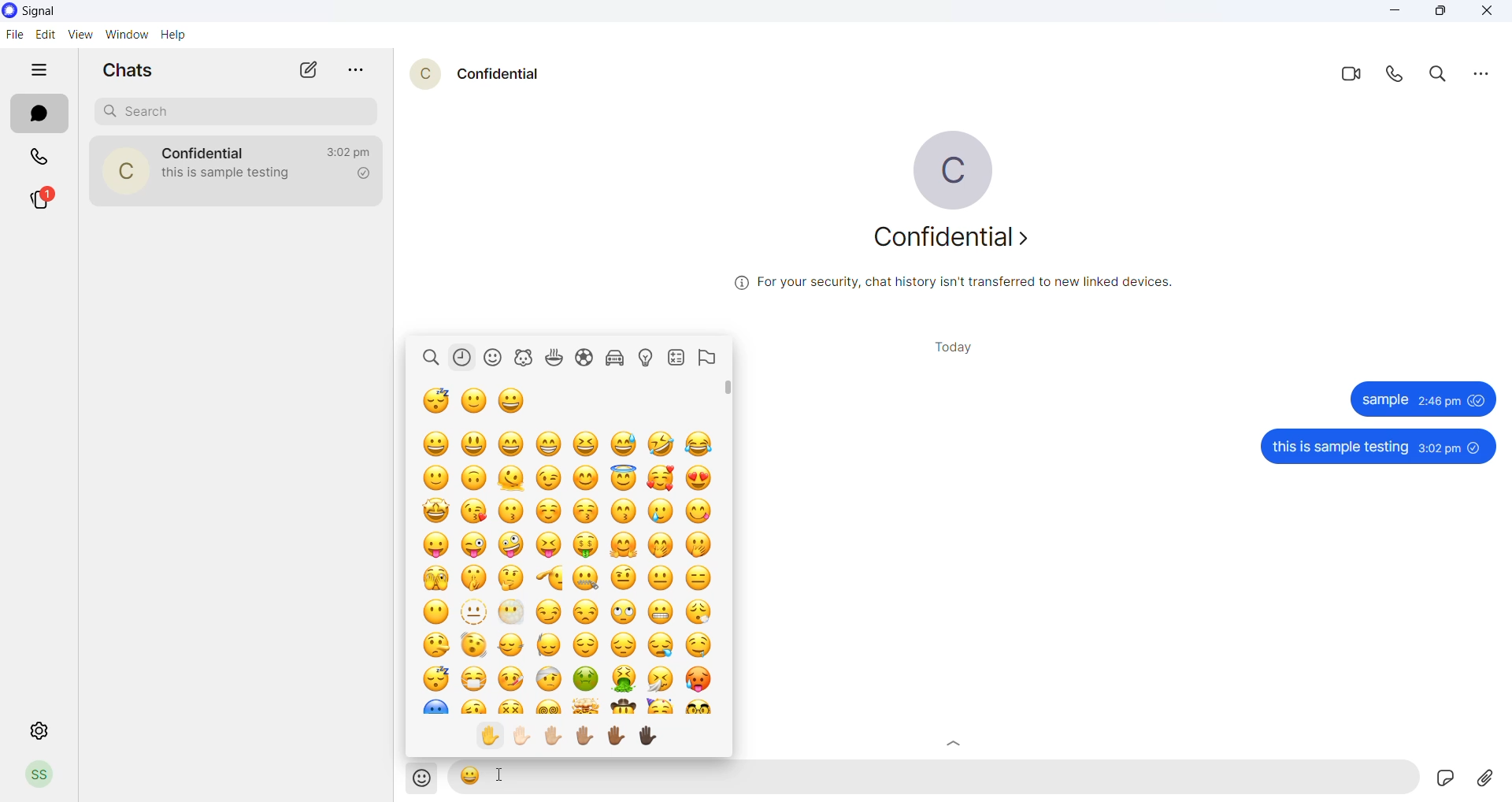 The image size is (1512, 802). What do you see at coordinates (1437, 13) in the screenshot?
I see `maximize` at bounding box center [1437, 13].